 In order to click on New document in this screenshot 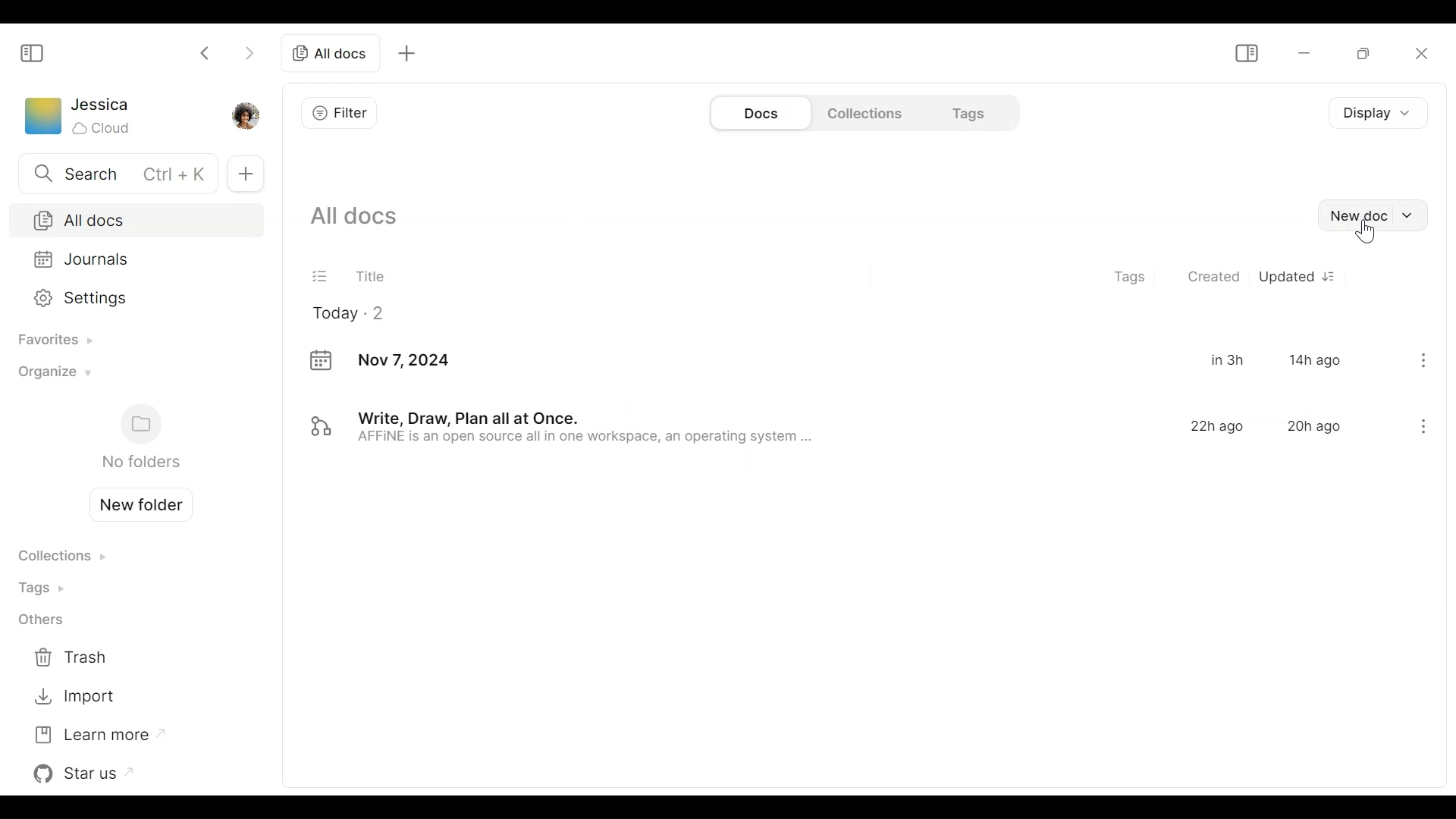, I will do `click(1334, 277)`.